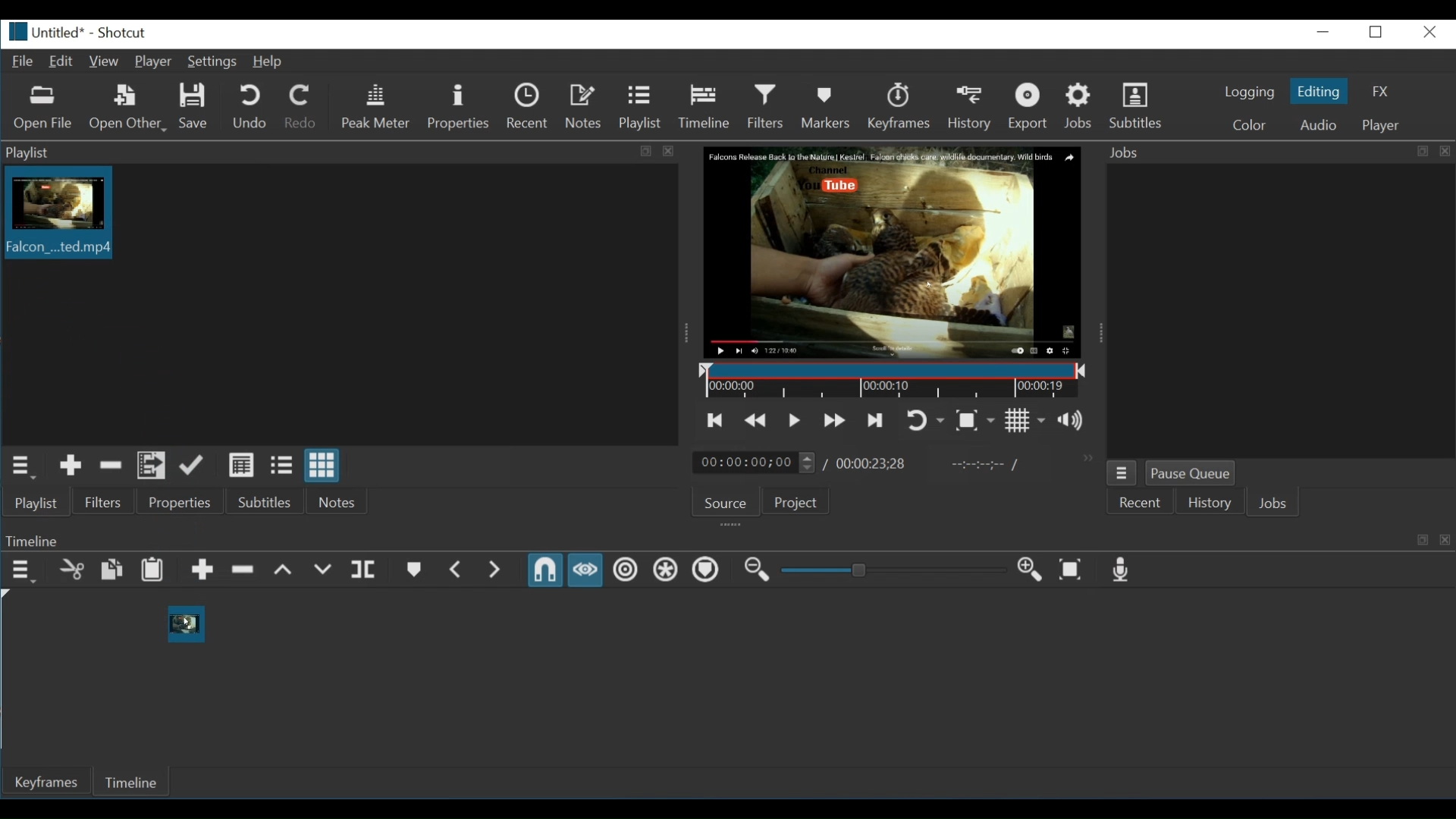 This screenshot has height=819, width=1456. I want to click on In oint, so click(981, 466).